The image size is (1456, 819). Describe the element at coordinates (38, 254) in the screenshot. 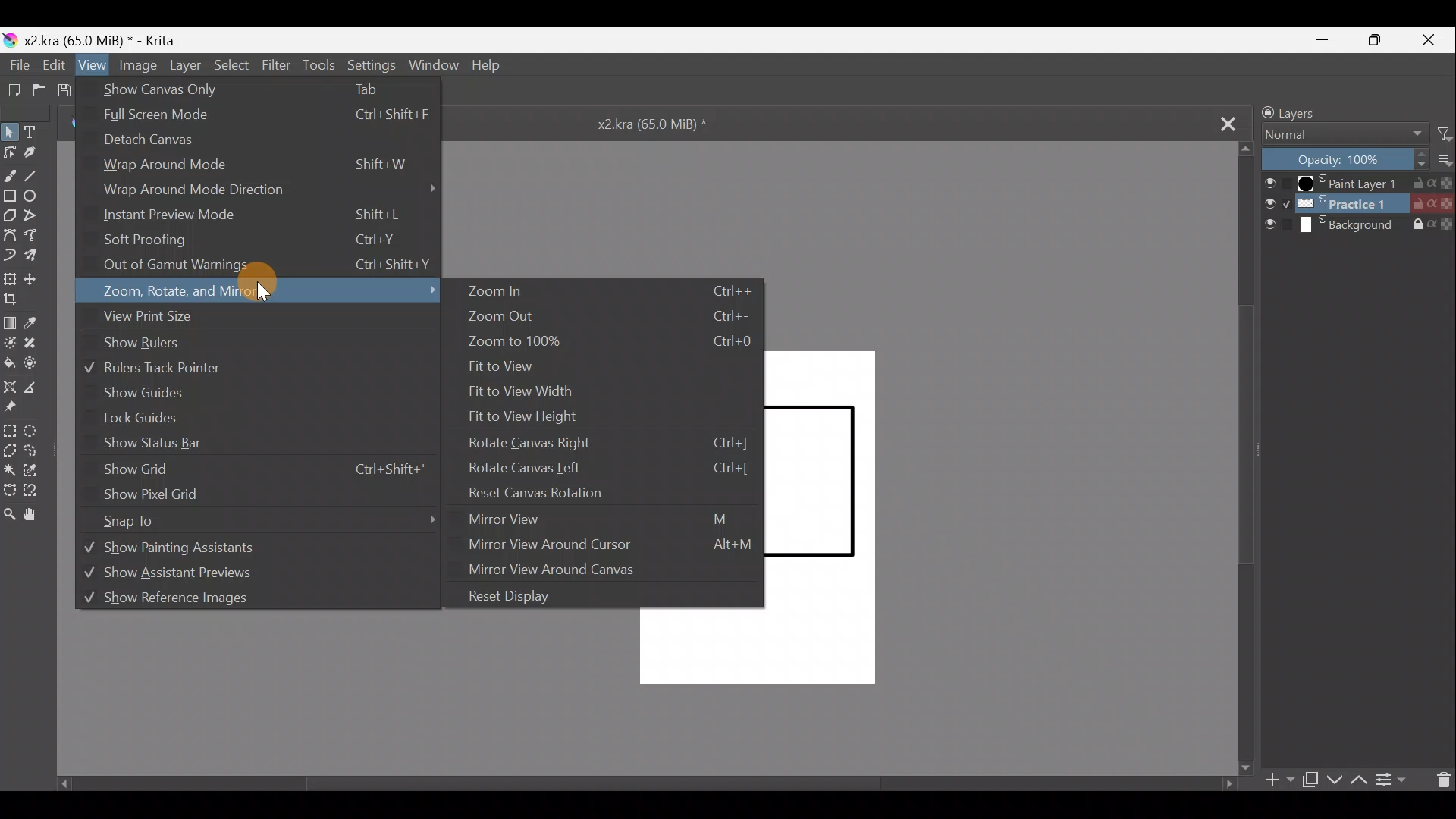

I see `Multibrush tool` at that location.